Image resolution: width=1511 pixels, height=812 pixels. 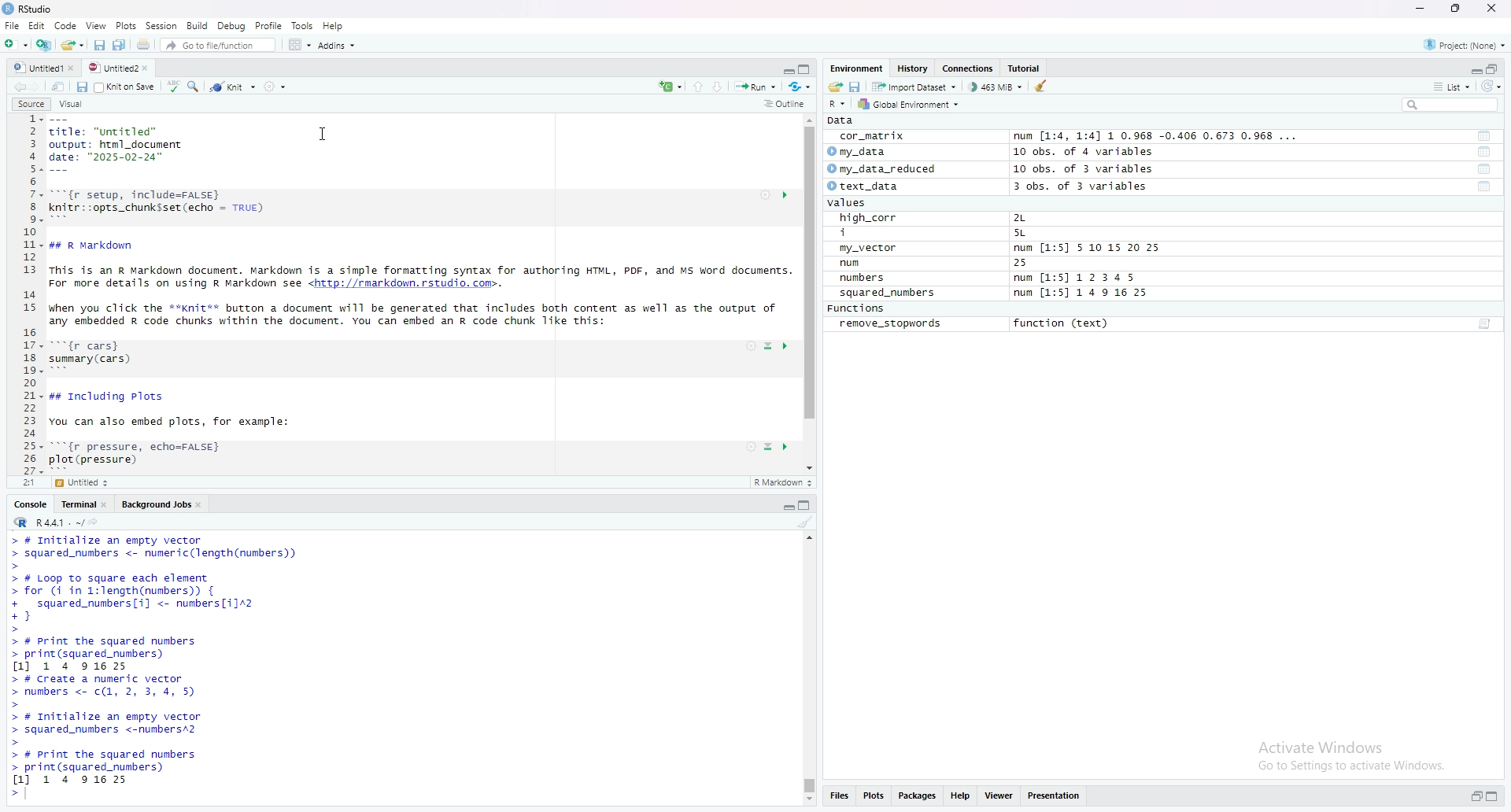 I want to click on 3 obs. of 3 variables, so click(x=1095, y=186).